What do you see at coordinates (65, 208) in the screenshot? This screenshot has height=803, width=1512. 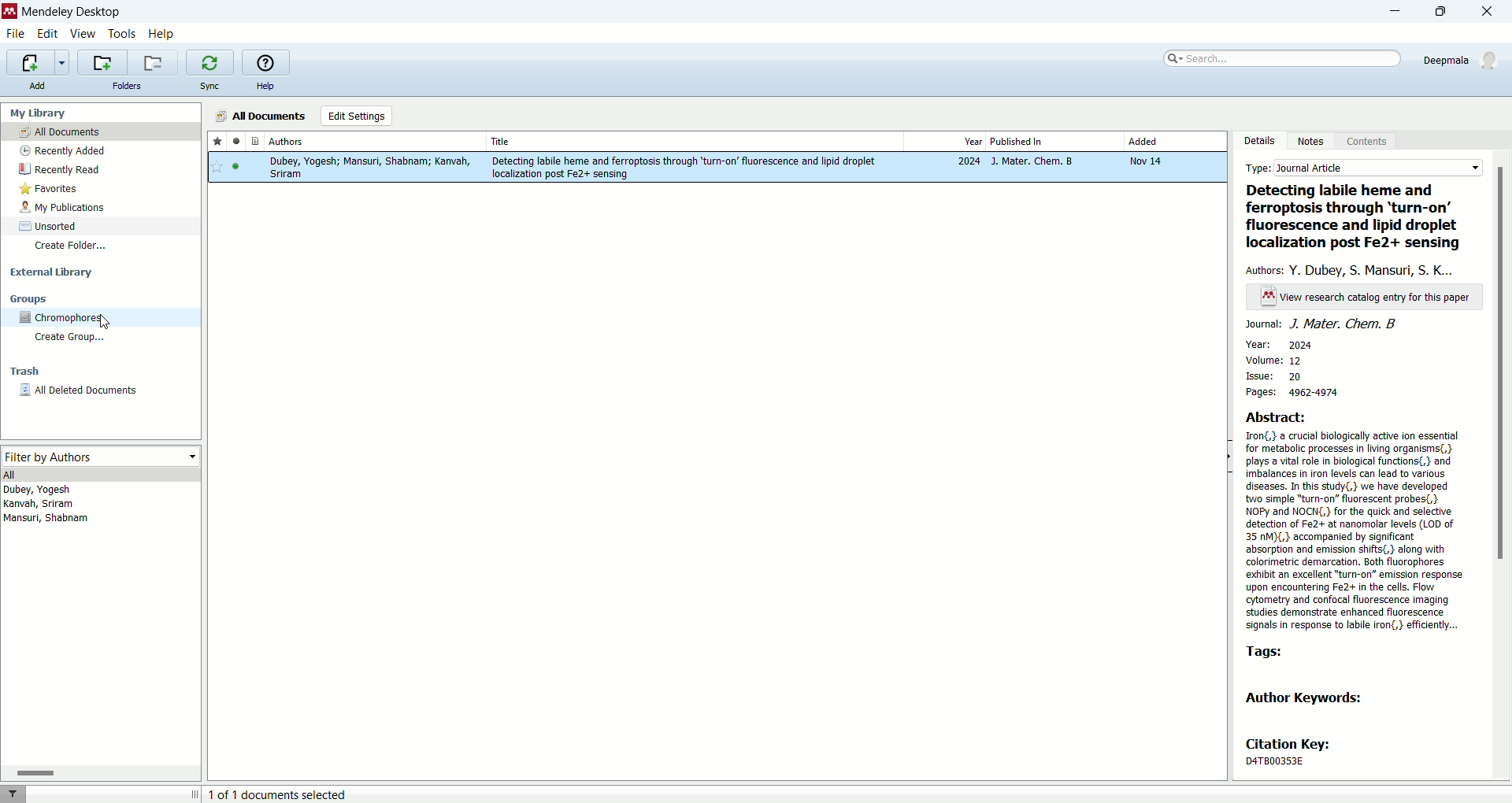 I see `my publications` at bounding box center [65, 208].